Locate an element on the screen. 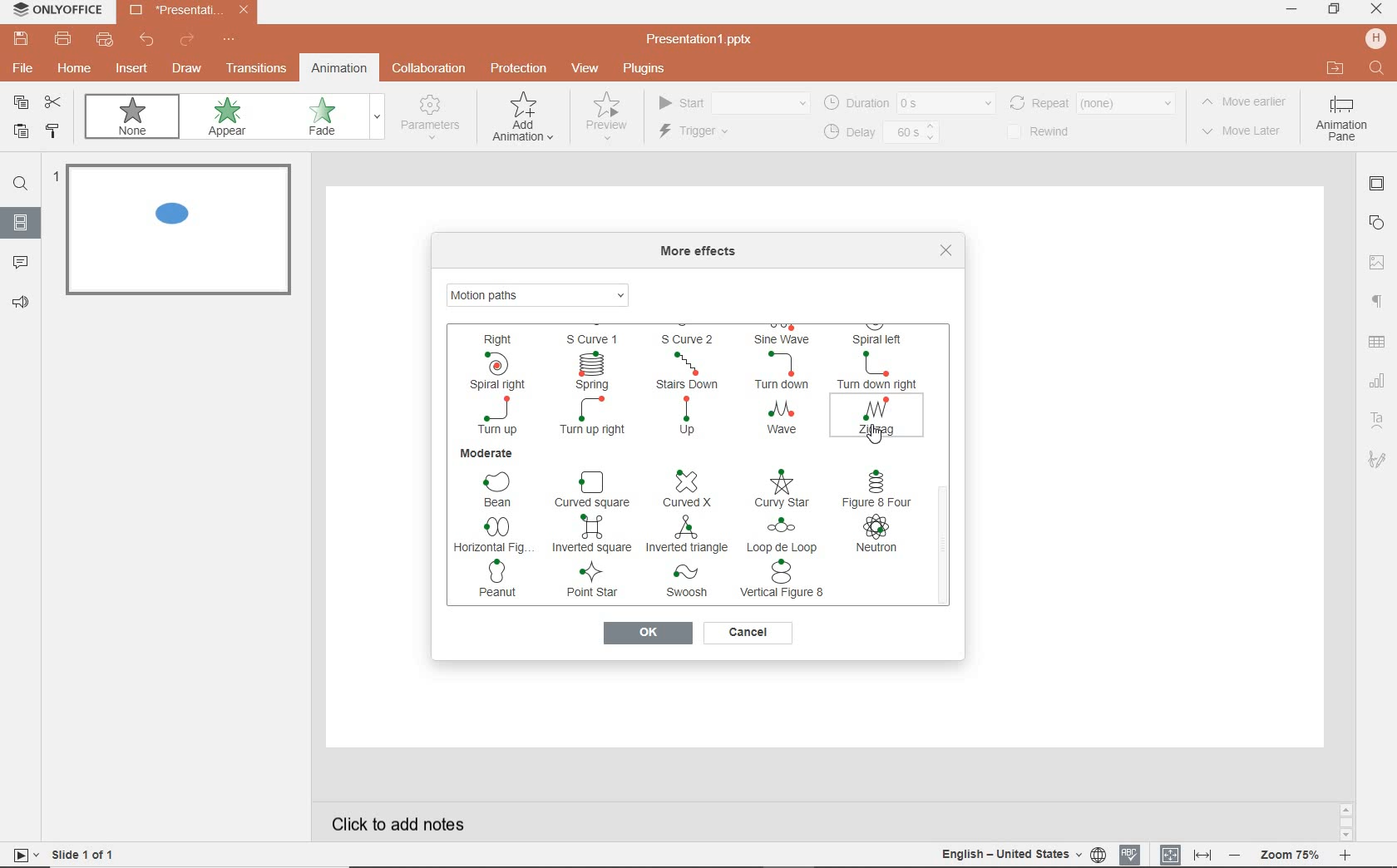  inverted triangle is located at coordinates (687, 535).